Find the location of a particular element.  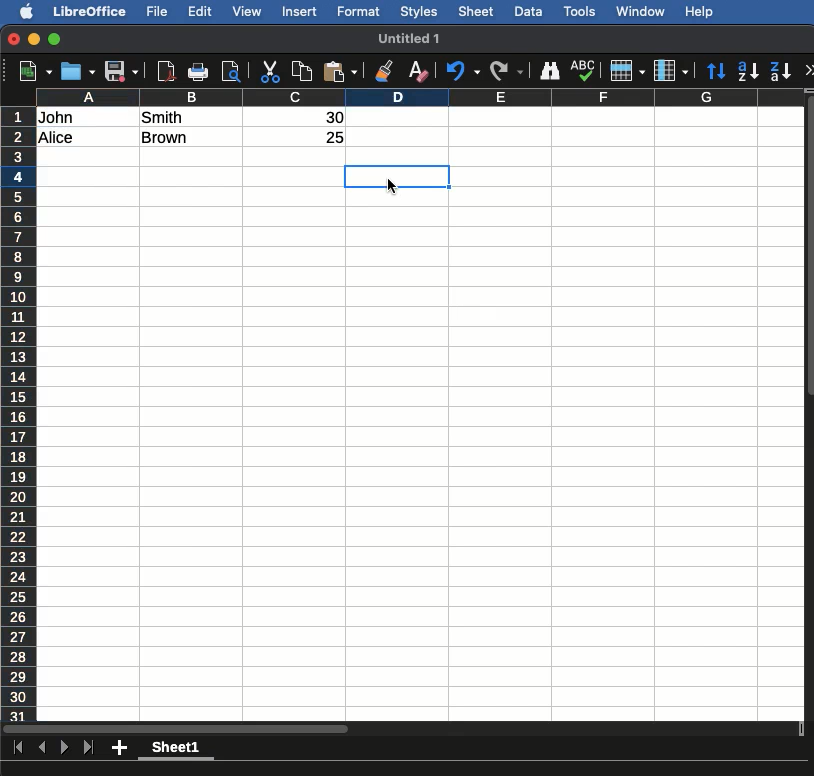

Data is located at coordinates (530, 11).